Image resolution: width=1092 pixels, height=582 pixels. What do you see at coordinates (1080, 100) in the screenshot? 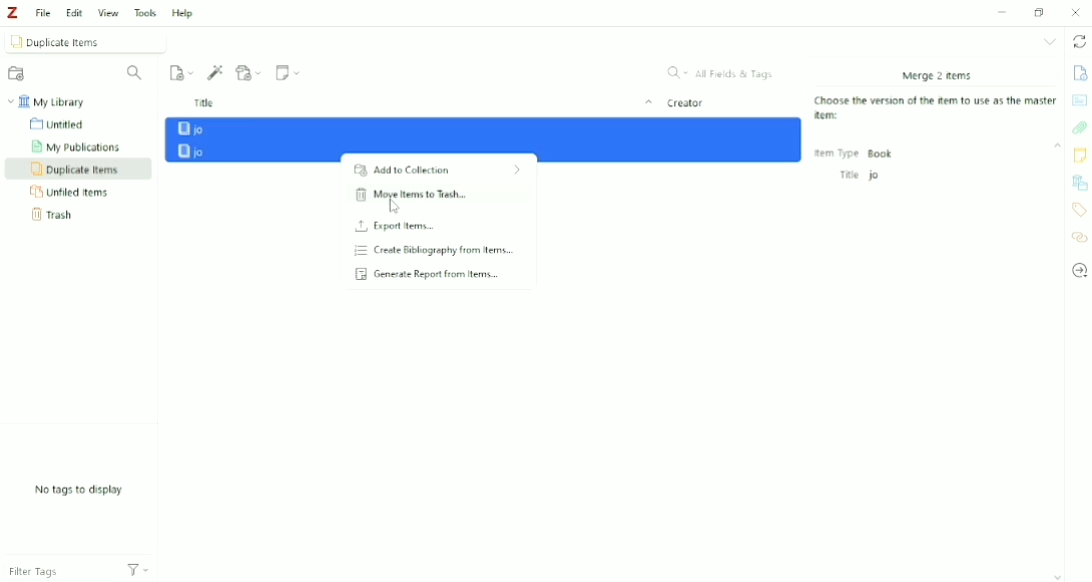
I see `Abstract` at bounding box center [1080, 100].